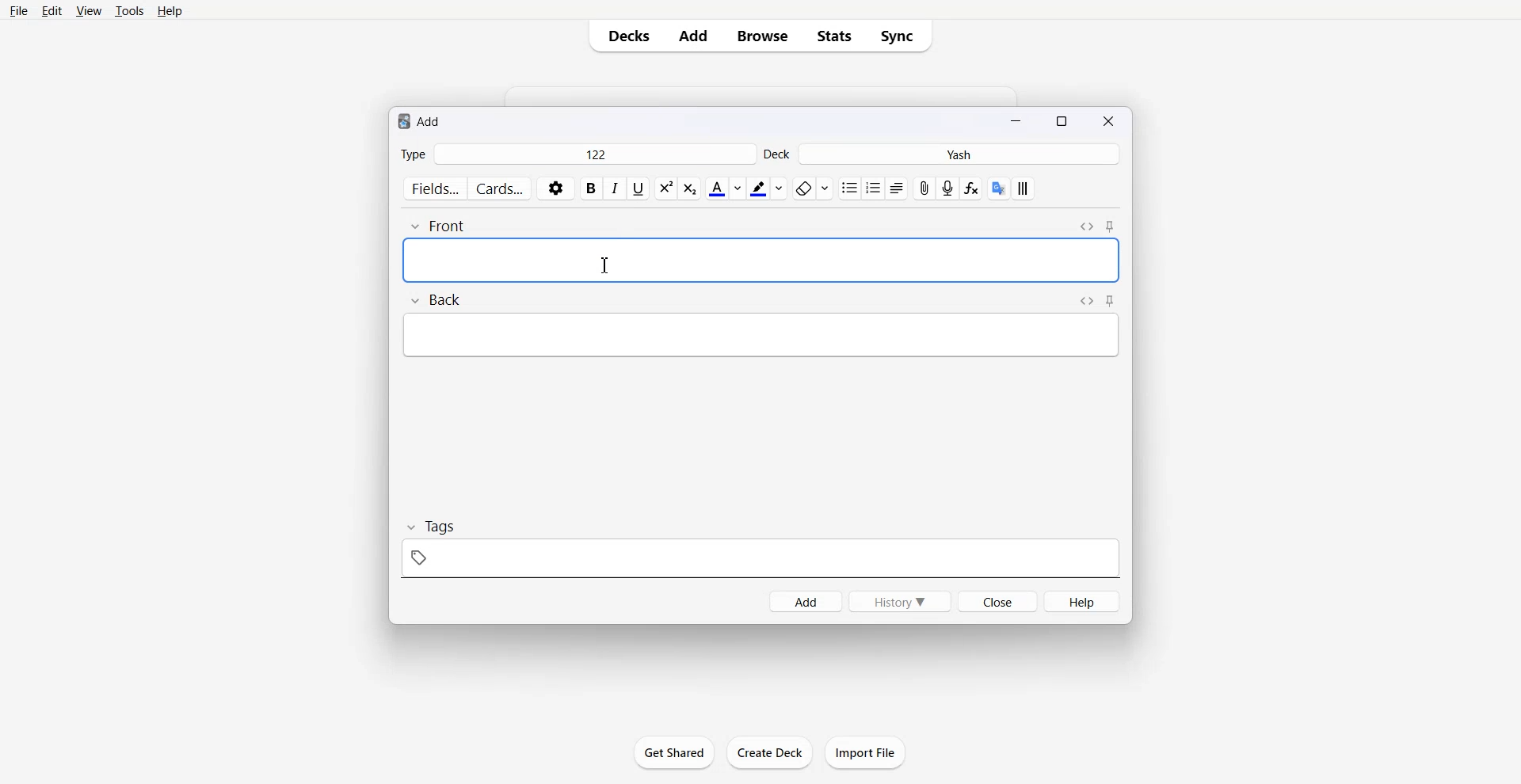 The width and height of the screenshot is (1521, 784). What do you see at coordinates (873, 188) in the screenshot?
I see `Order list` at bounding box center [873, 188].